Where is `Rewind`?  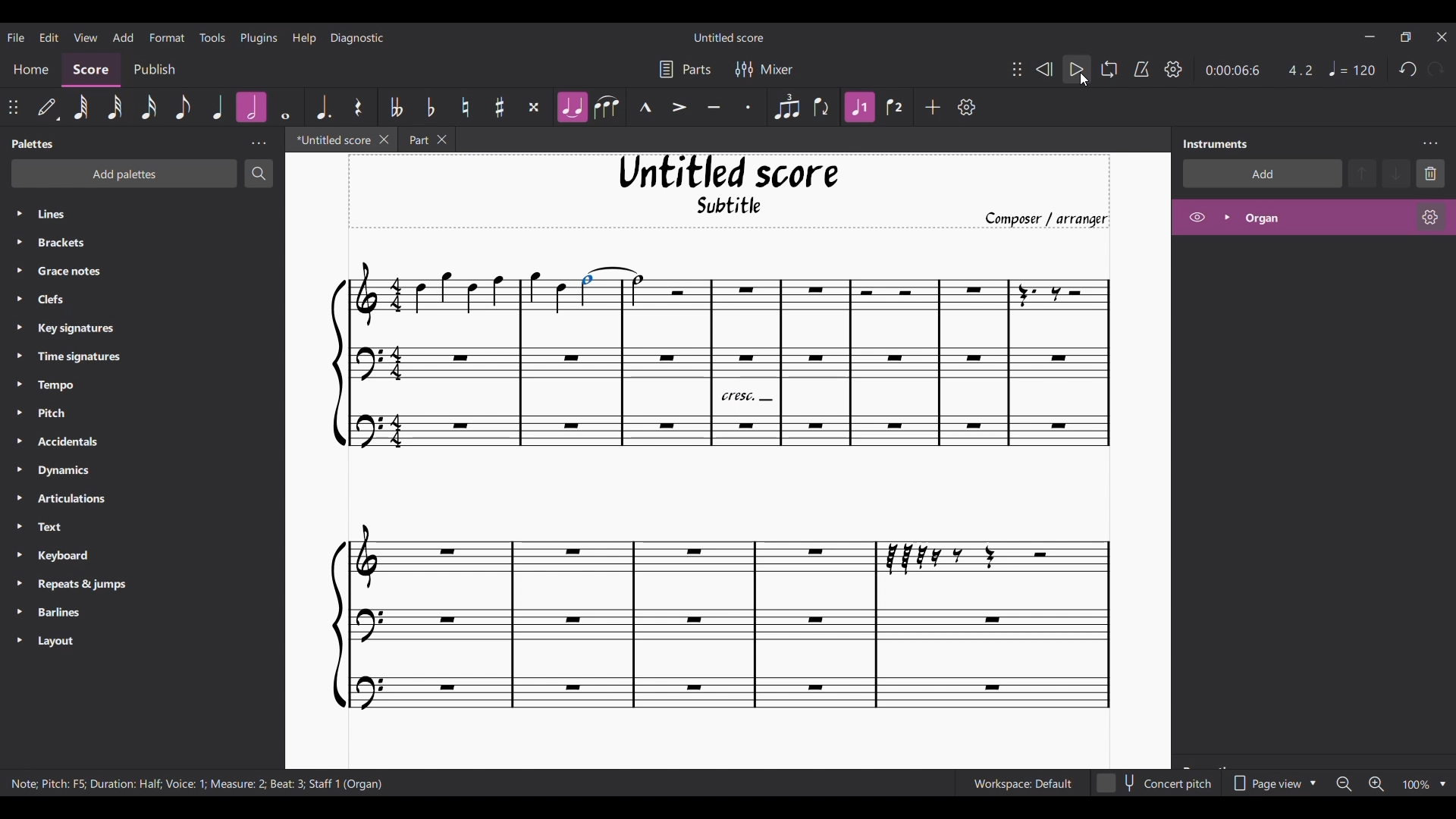 Rewind is located at coordinates (1044, 70).